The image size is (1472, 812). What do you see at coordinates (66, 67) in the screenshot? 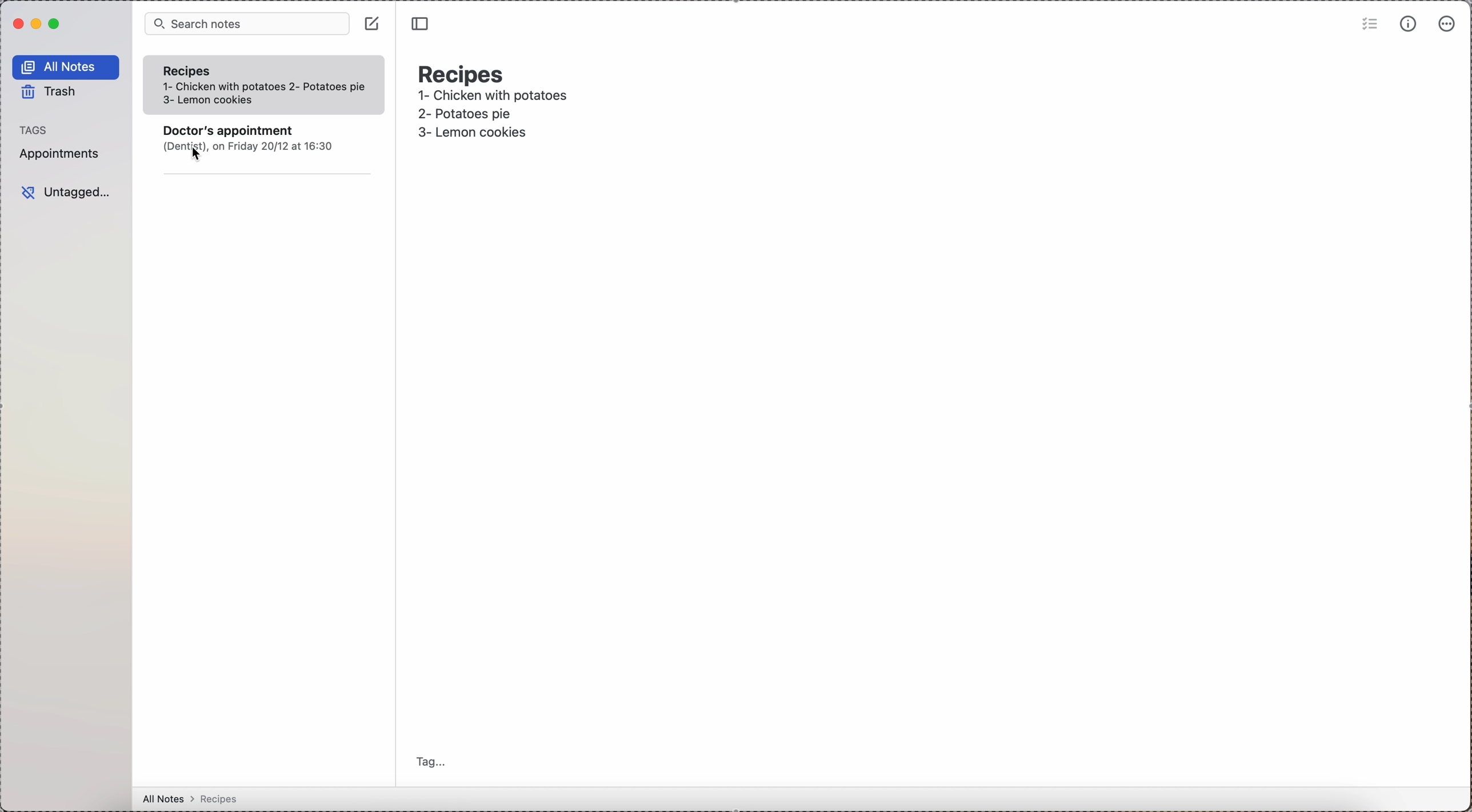
I see `all notes` at bounding box center [66, 67].